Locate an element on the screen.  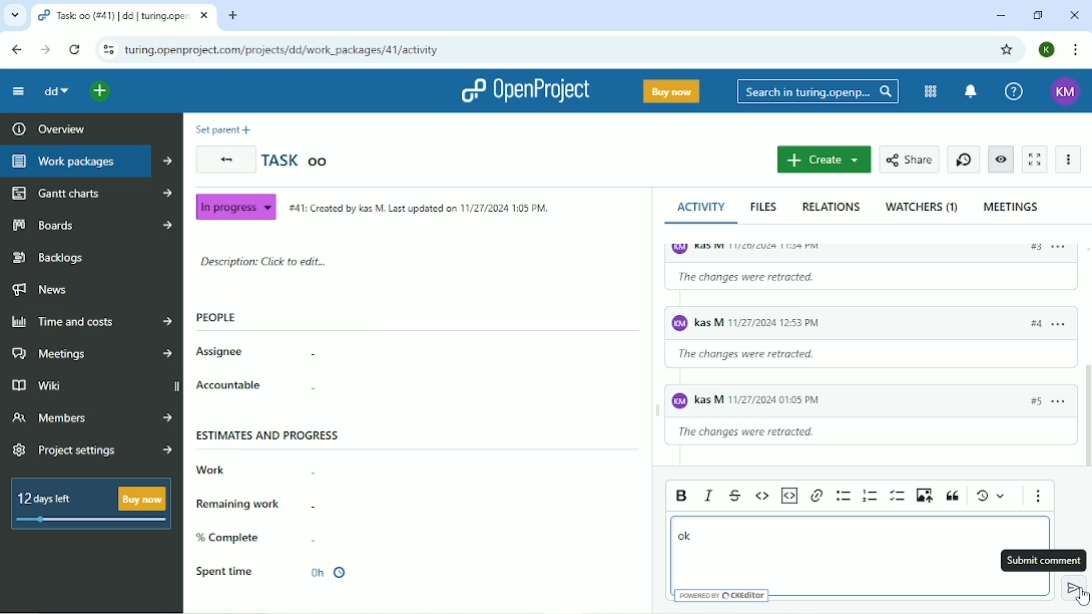
More is located at coordinates (1069, 159).